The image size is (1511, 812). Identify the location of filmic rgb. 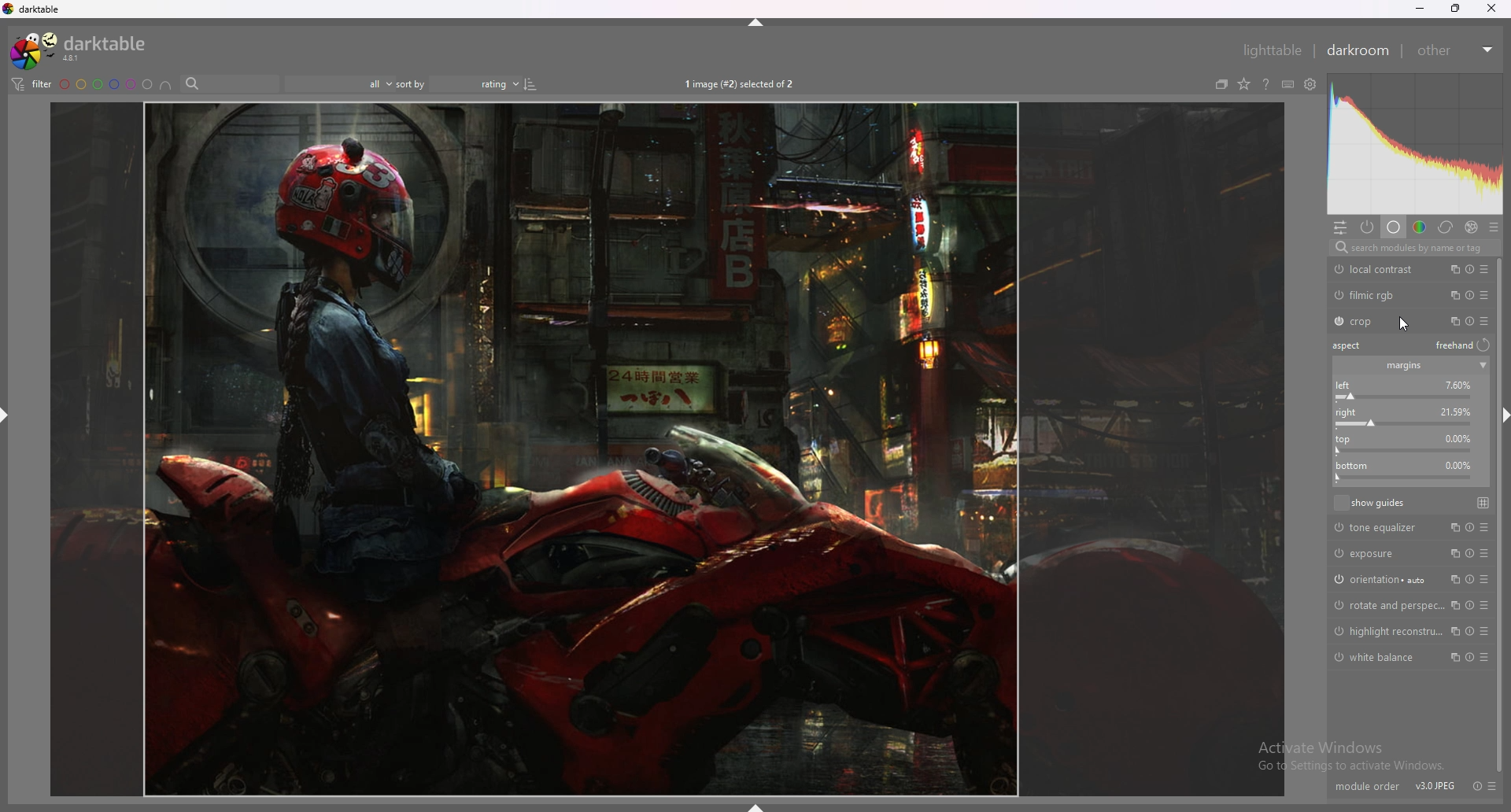
(1379, 295).